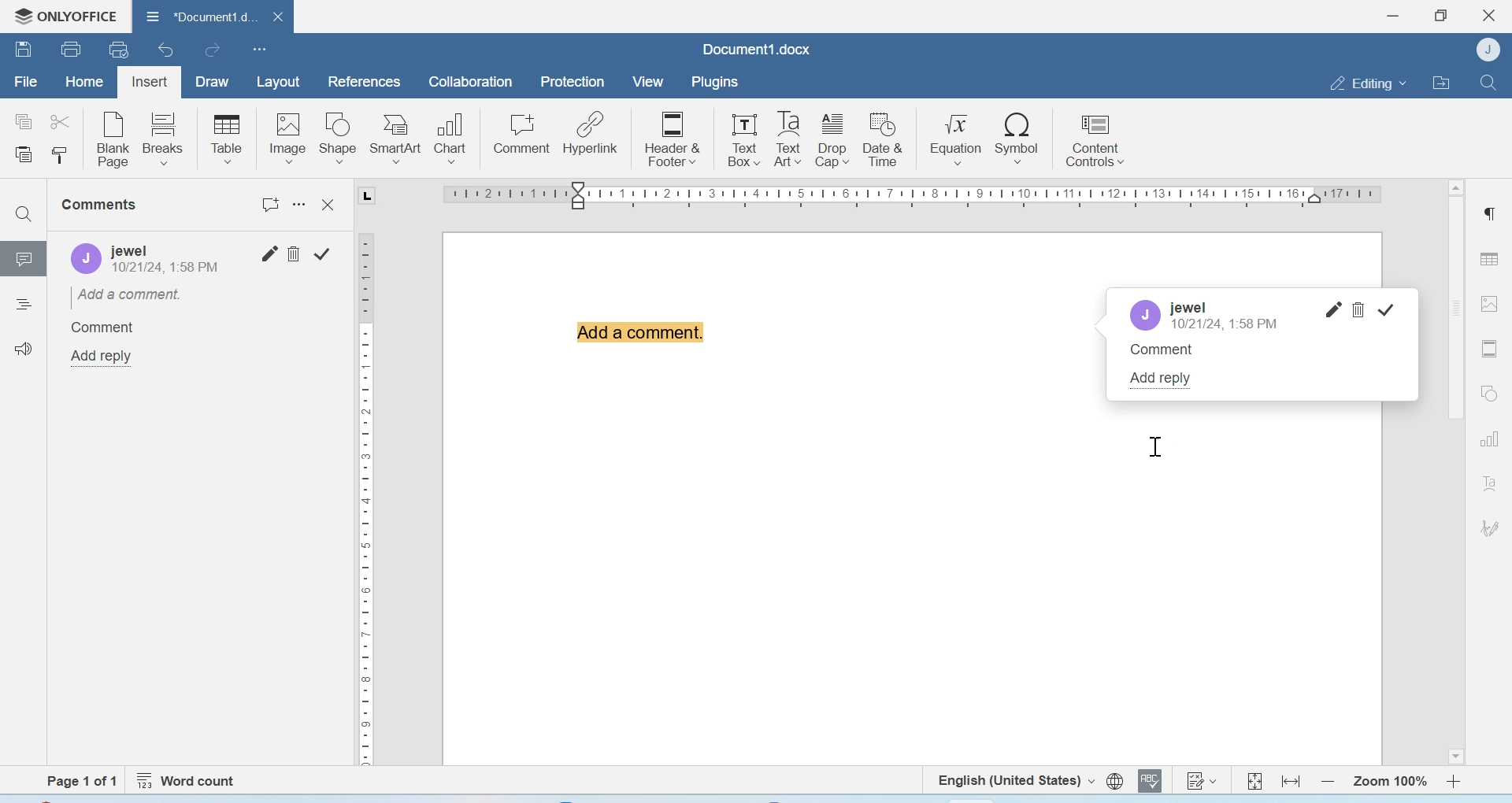 The width and height of the screenshot is (1512, 803). I want to click on Open file location, so click(1441, 82).